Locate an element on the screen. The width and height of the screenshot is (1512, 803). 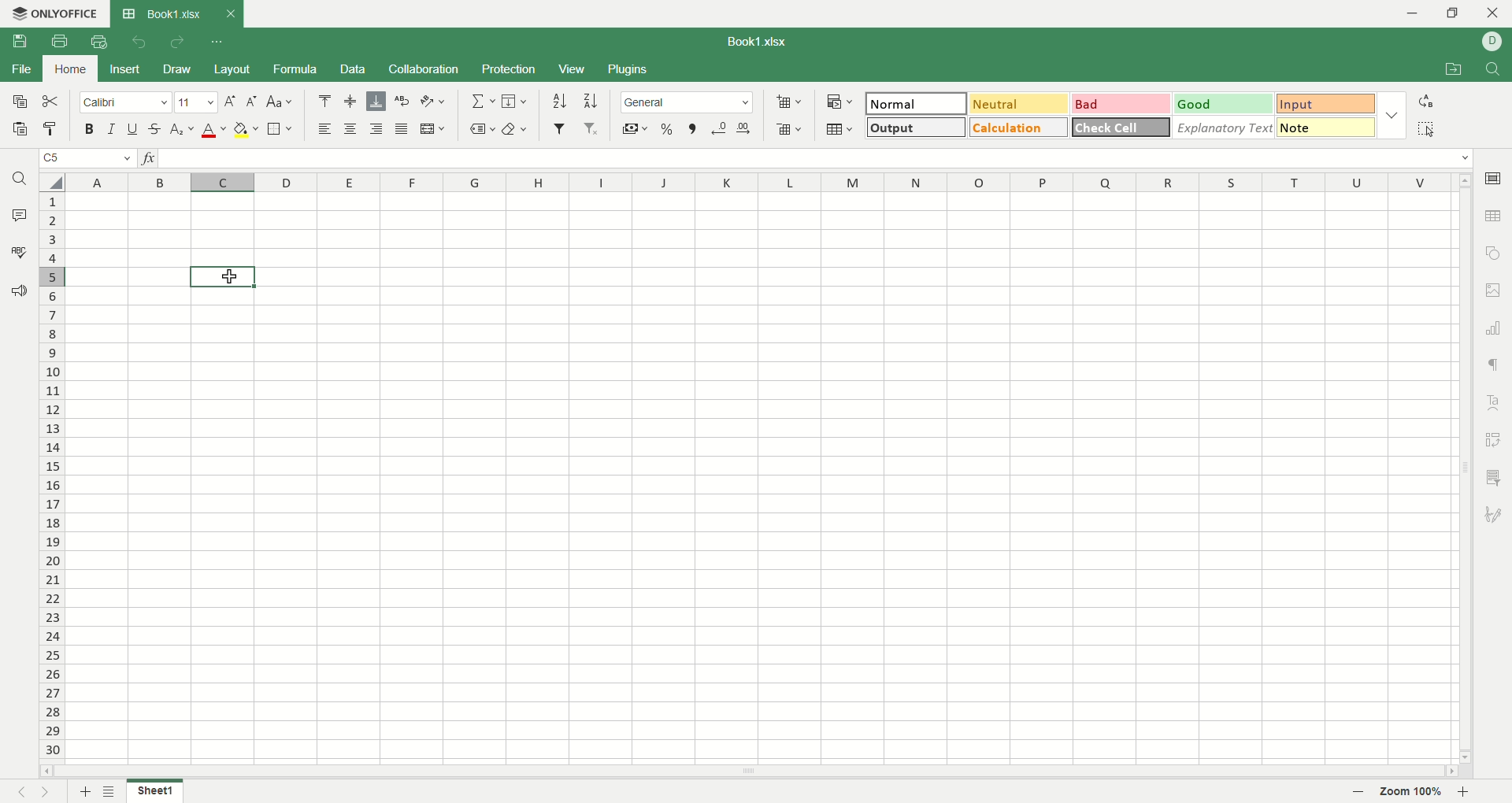
increase font size is located at coordinates (229, 104).